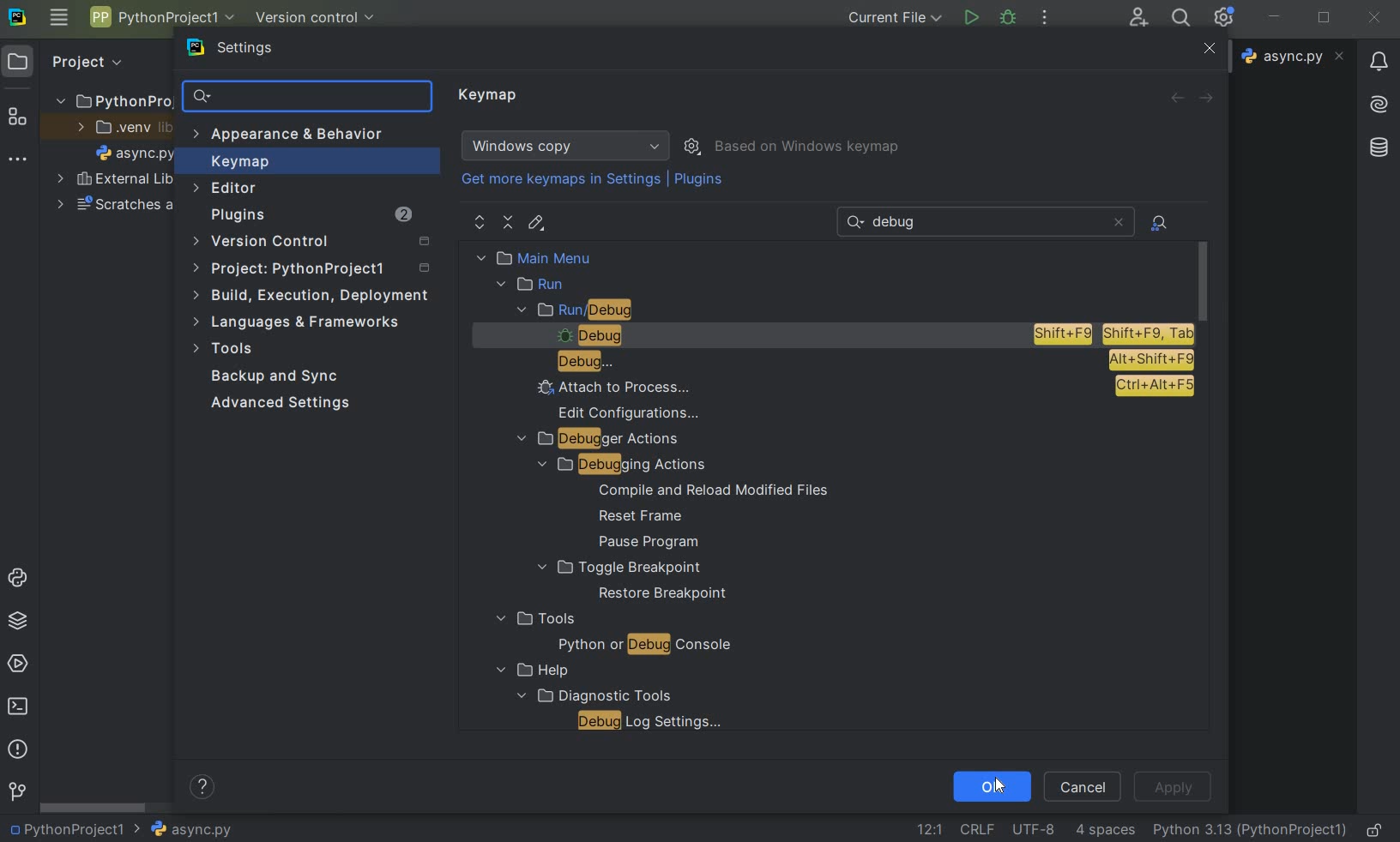 The width and height of the screenshot is (1400, 842). Describe the element at coordinates (275, 378) in the screenshot. I see `backup and sync` at that location.